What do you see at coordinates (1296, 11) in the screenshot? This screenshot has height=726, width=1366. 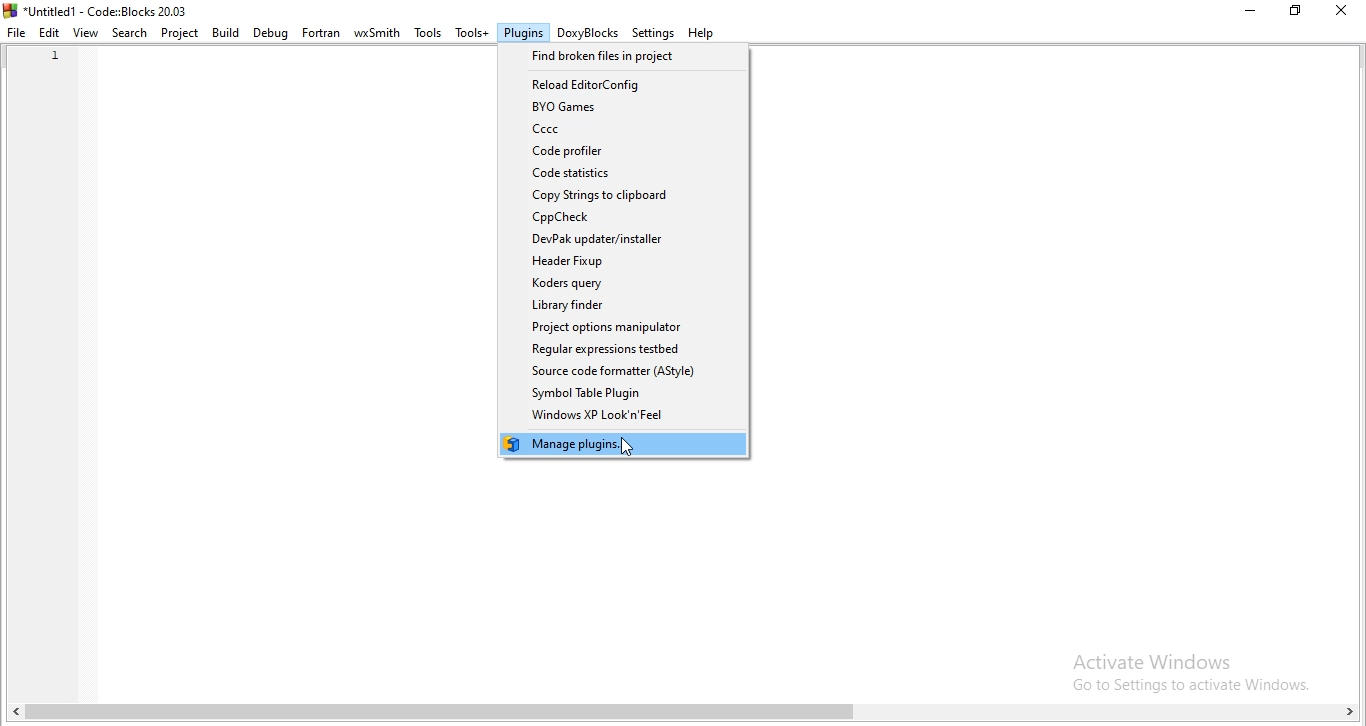 I see `restore` at bounding box center [1296, 11].